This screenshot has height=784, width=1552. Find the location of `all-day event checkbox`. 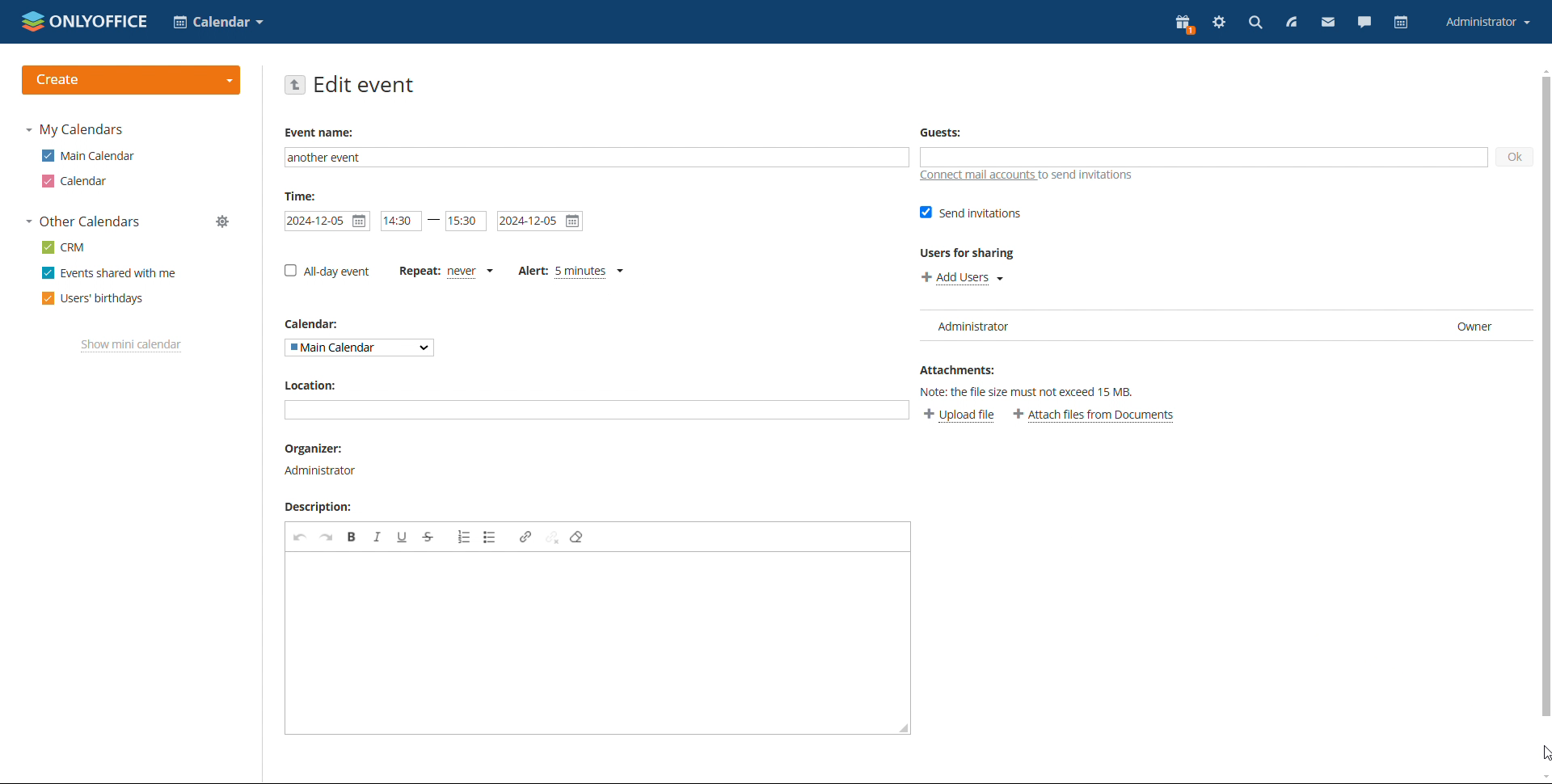

all-day event checkbox is located at coordinates (327, 271).